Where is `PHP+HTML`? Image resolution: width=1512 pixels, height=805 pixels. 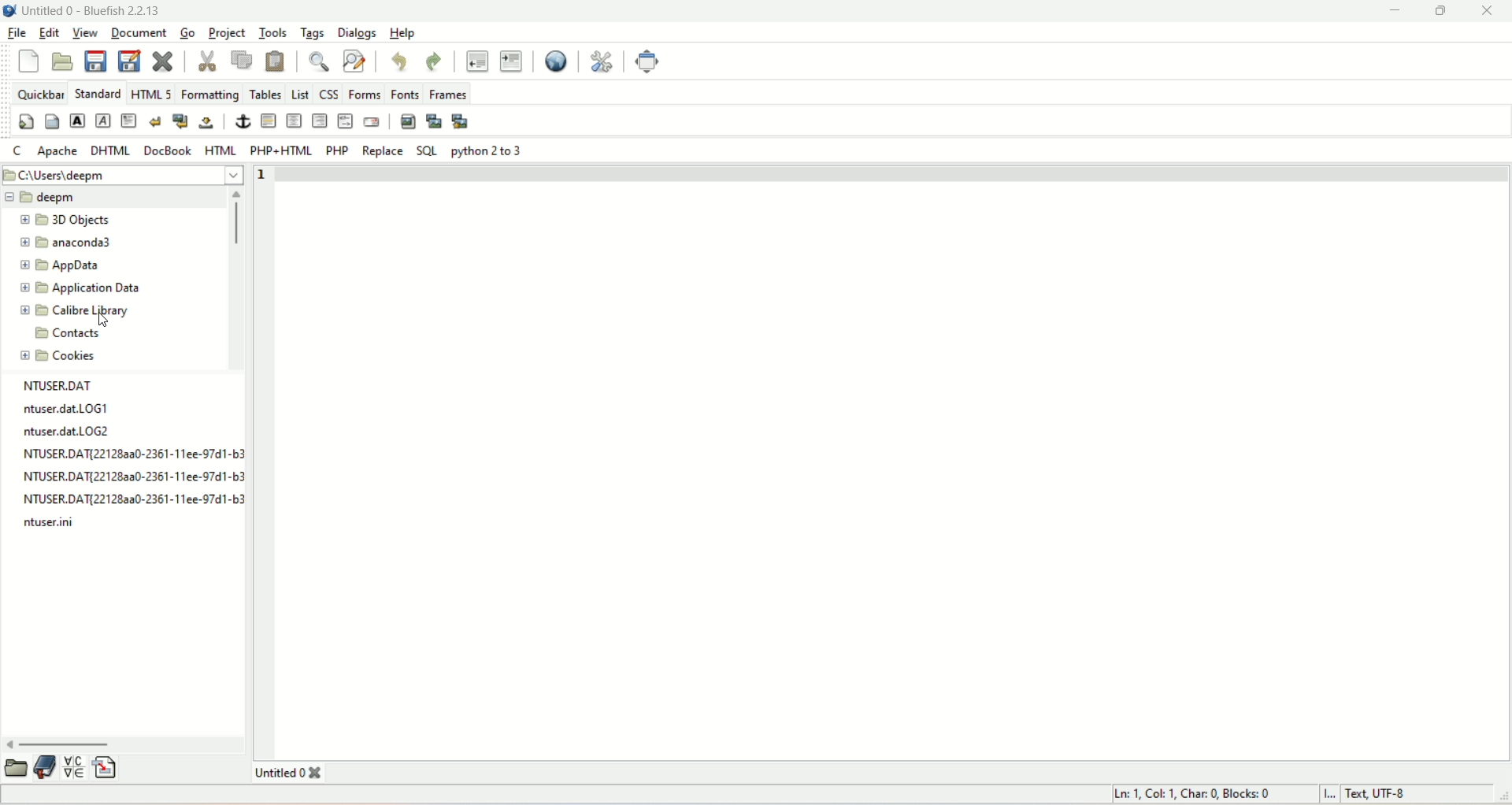 PHP+HTML is located at coordinates (277, 150).